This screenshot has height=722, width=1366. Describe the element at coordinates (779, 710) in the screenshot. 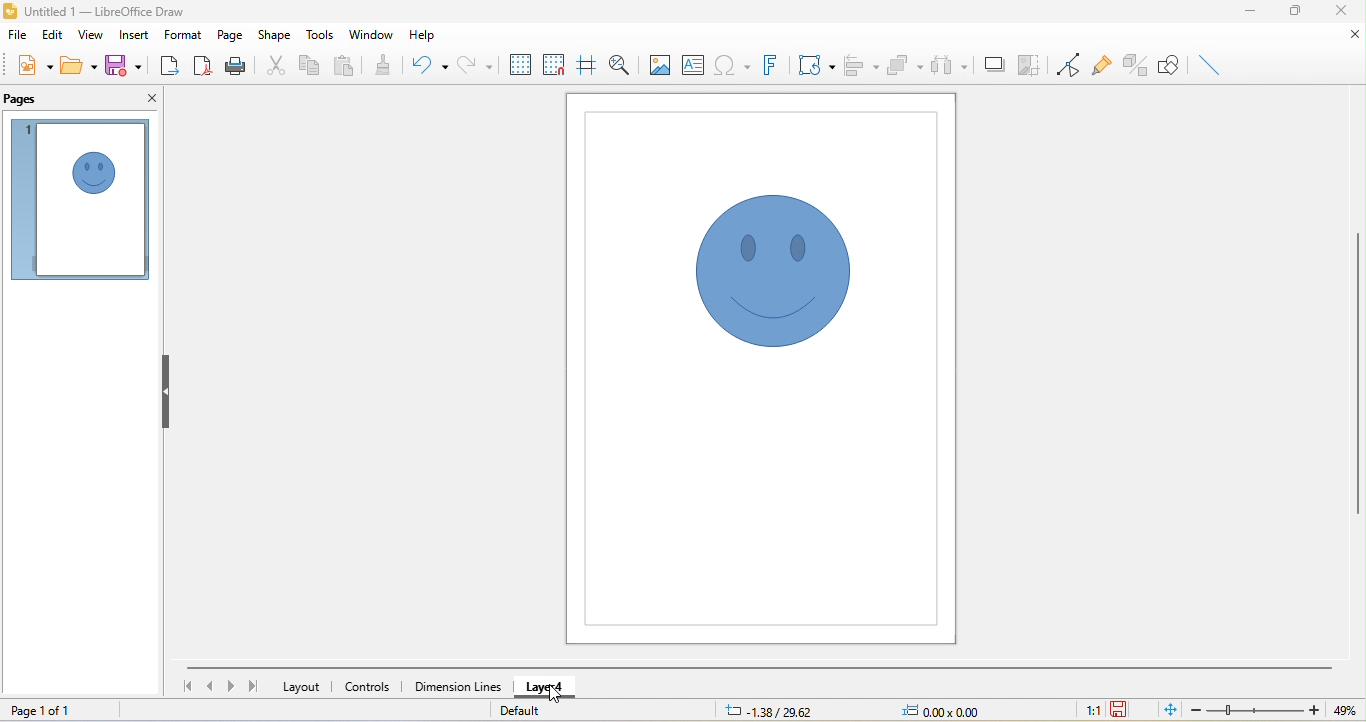

I see `-1.38/29.62` at that location.